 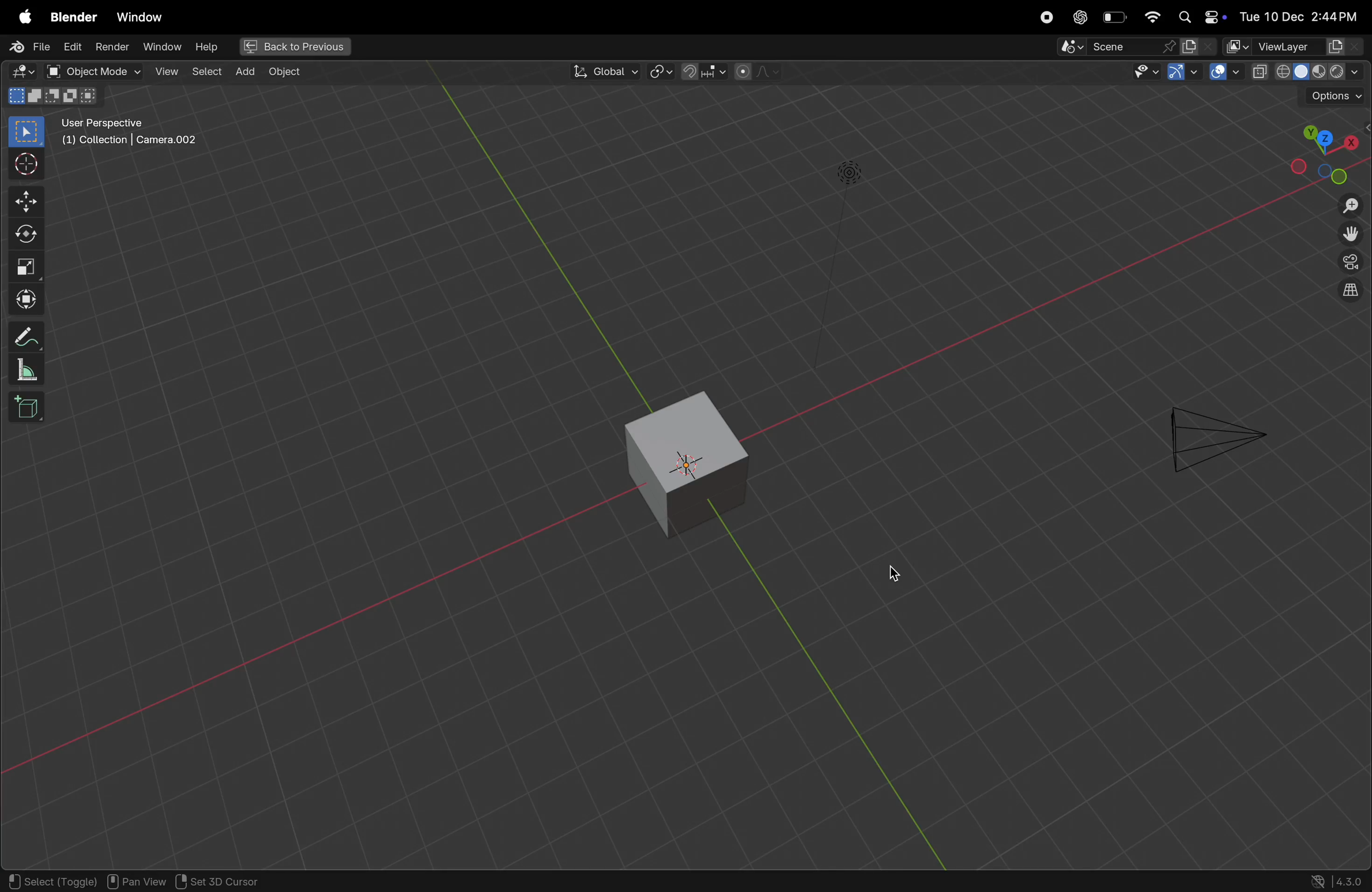 What do you see at coordinates (1108, 48) in the screenshot?
I see `sence` at bounding box center [1108, 48].